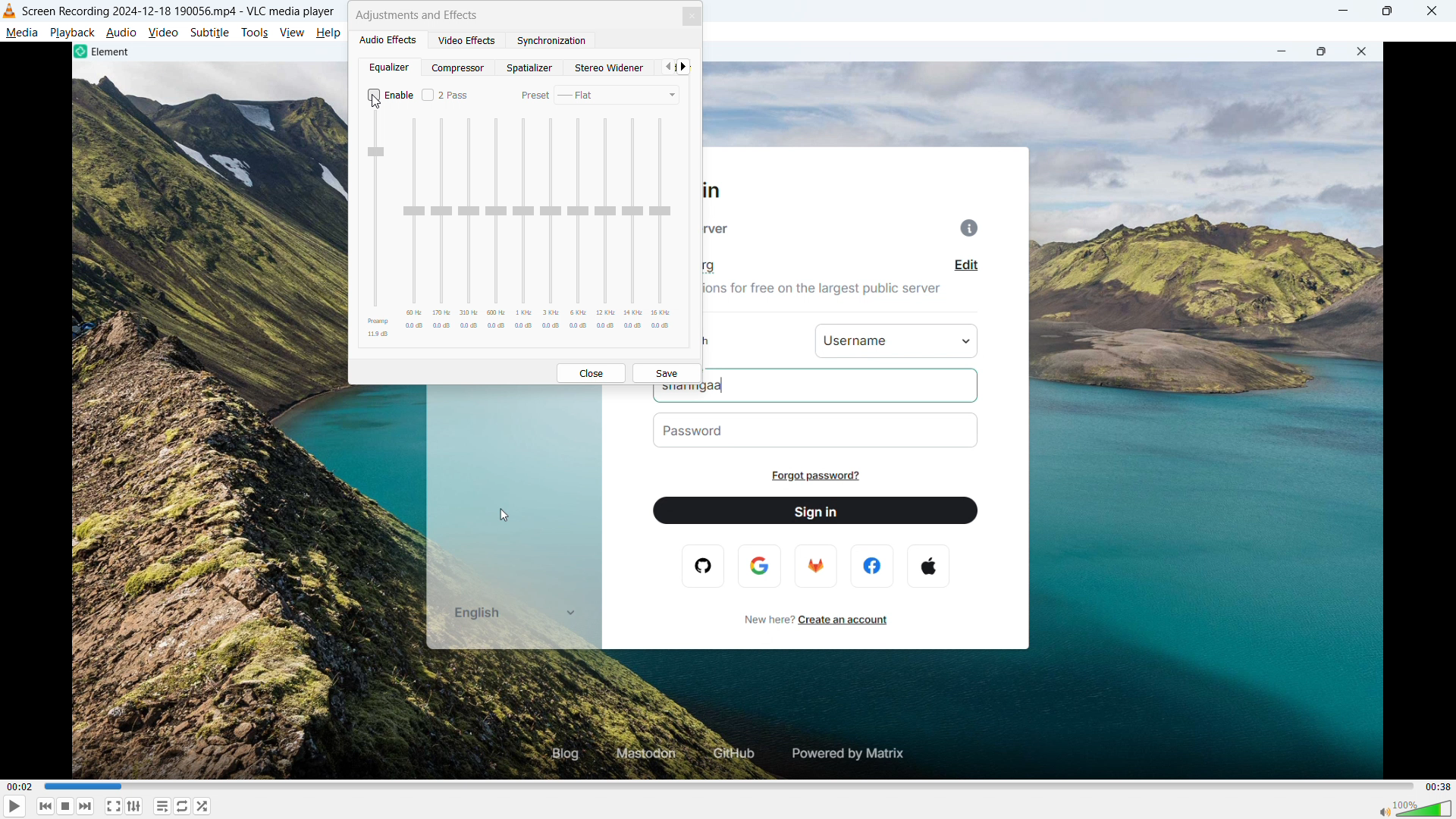  Describe the element at coordinates (291, 33) in the screenshot. I see `View ` at that location.